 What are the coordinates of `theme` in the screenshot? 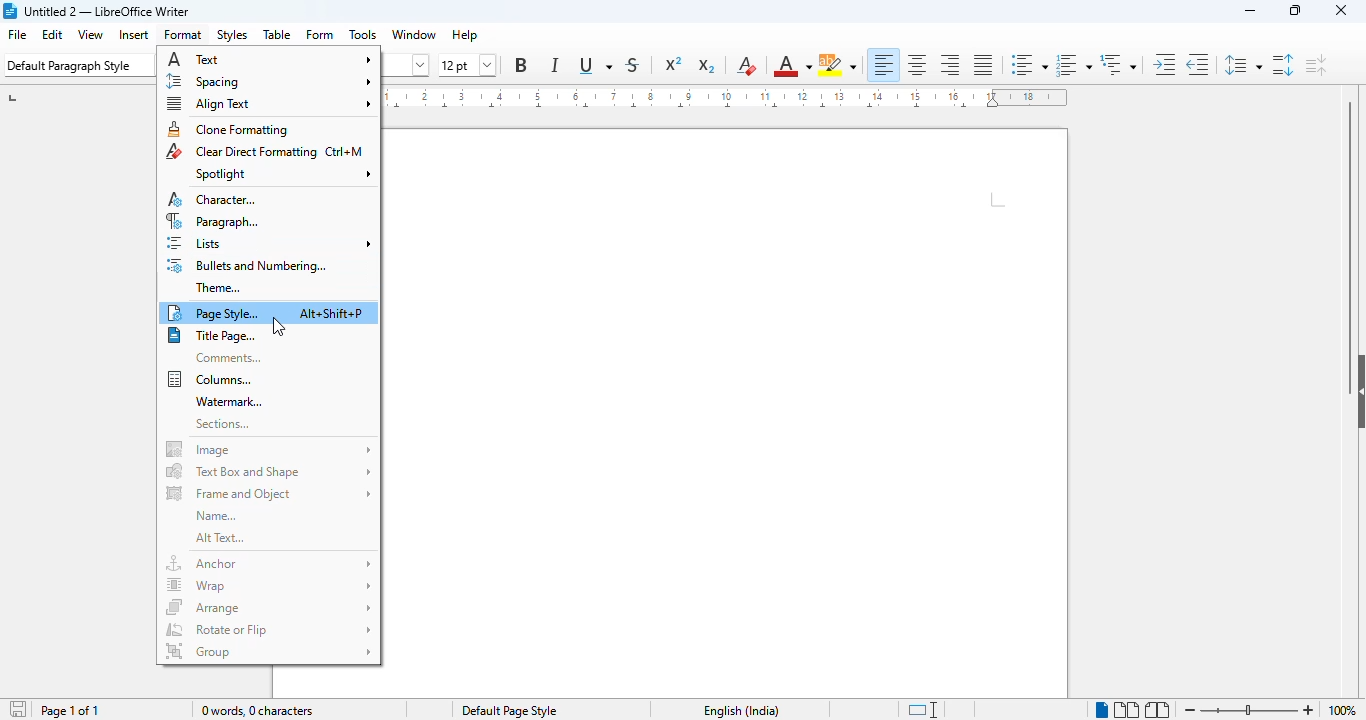 It's located at (219, 289).